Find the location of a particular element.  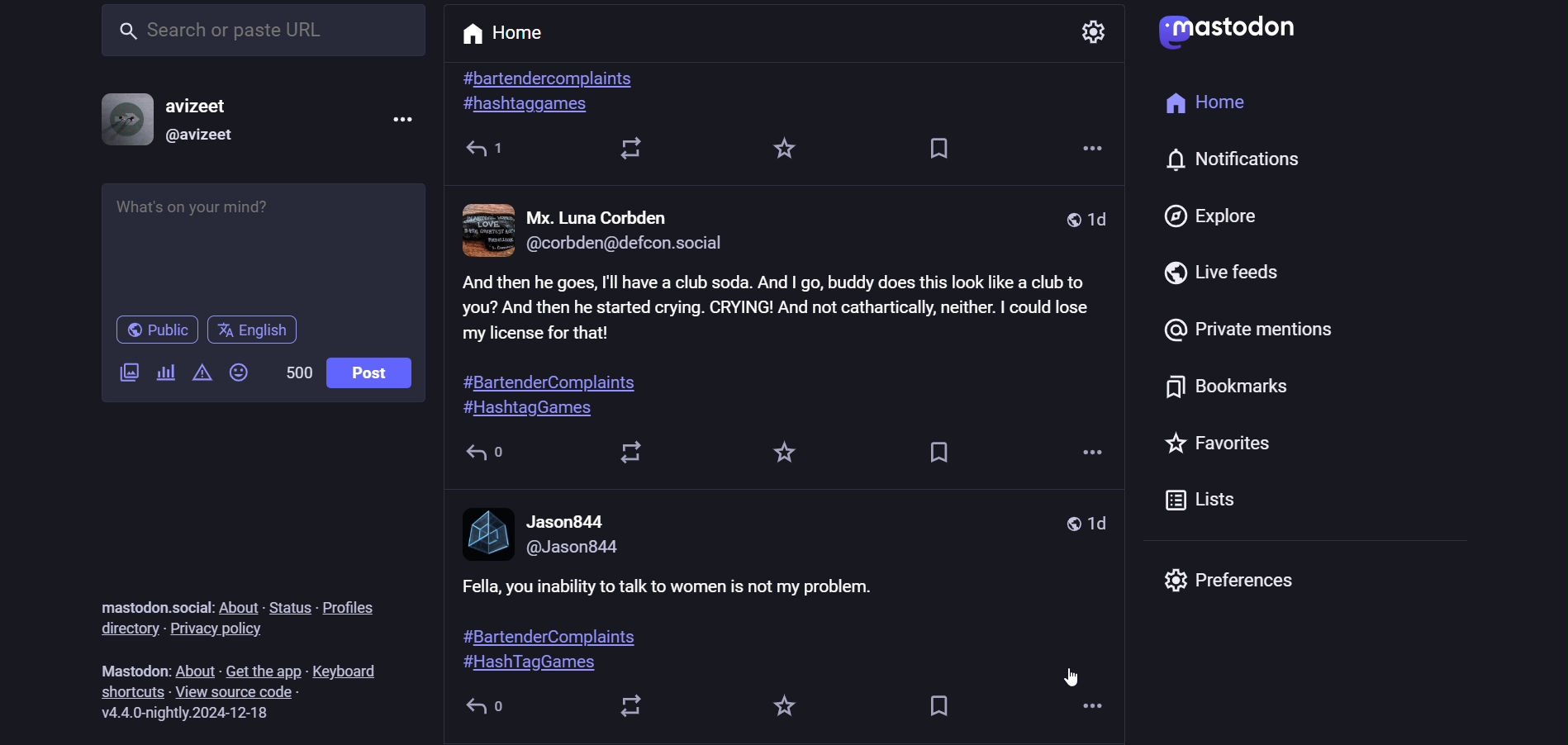

MX.Luna corbden is located at coordinates (615, 215).